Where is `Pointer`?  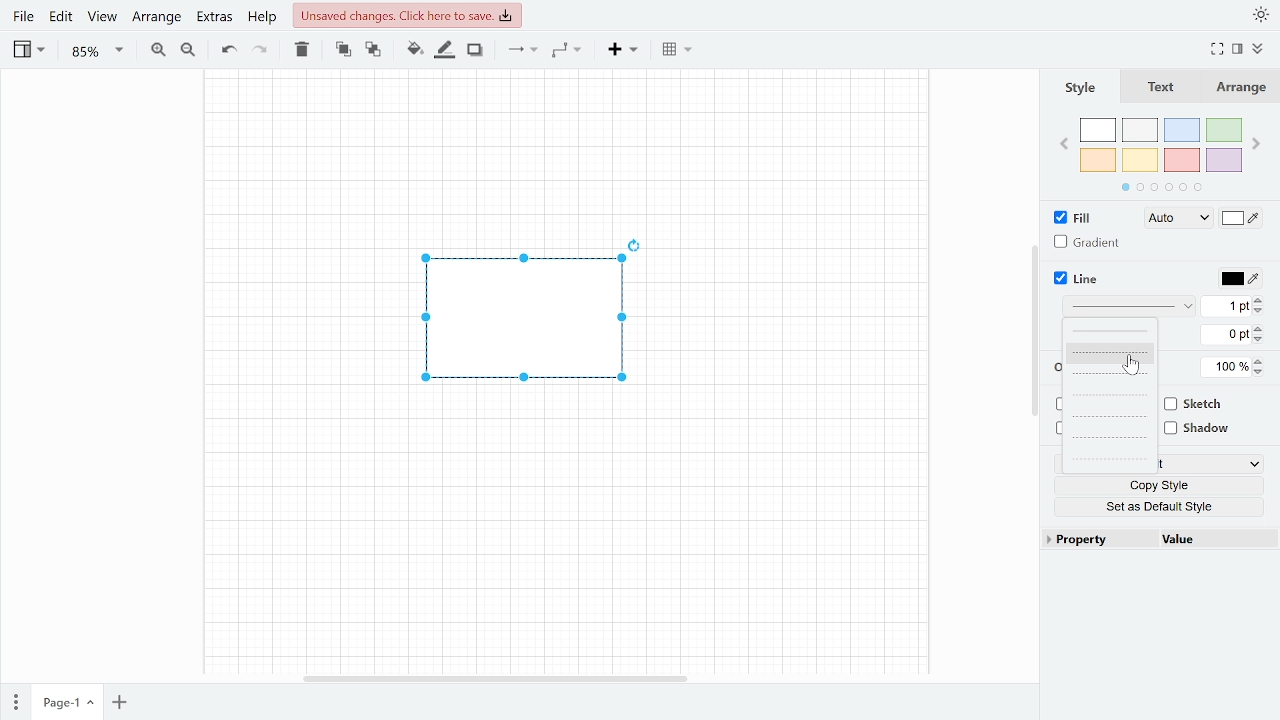
Pointer is located at coordinates (1134, 366).